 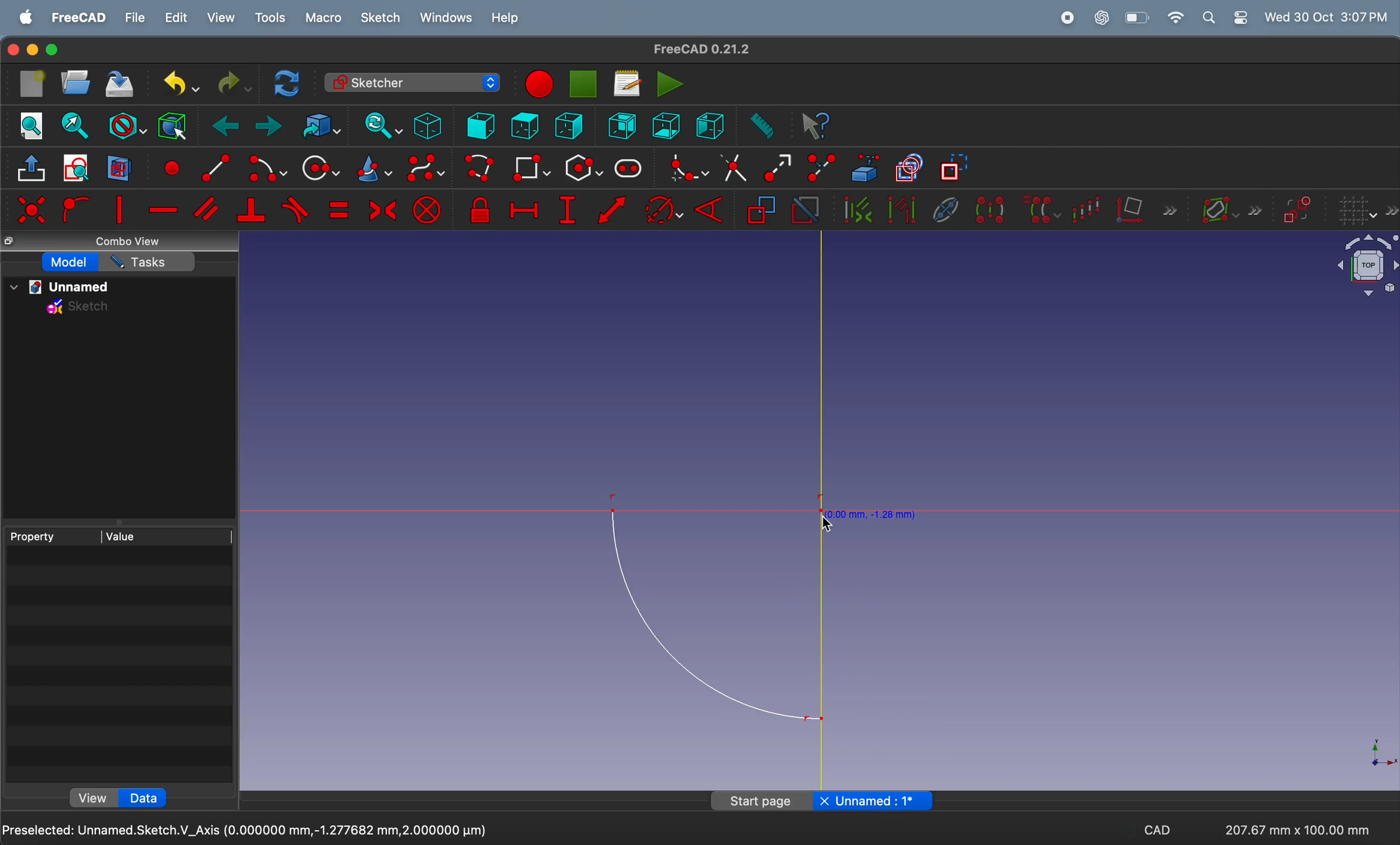 I want to click on hide internal geometry, so click(x=943, y=208).